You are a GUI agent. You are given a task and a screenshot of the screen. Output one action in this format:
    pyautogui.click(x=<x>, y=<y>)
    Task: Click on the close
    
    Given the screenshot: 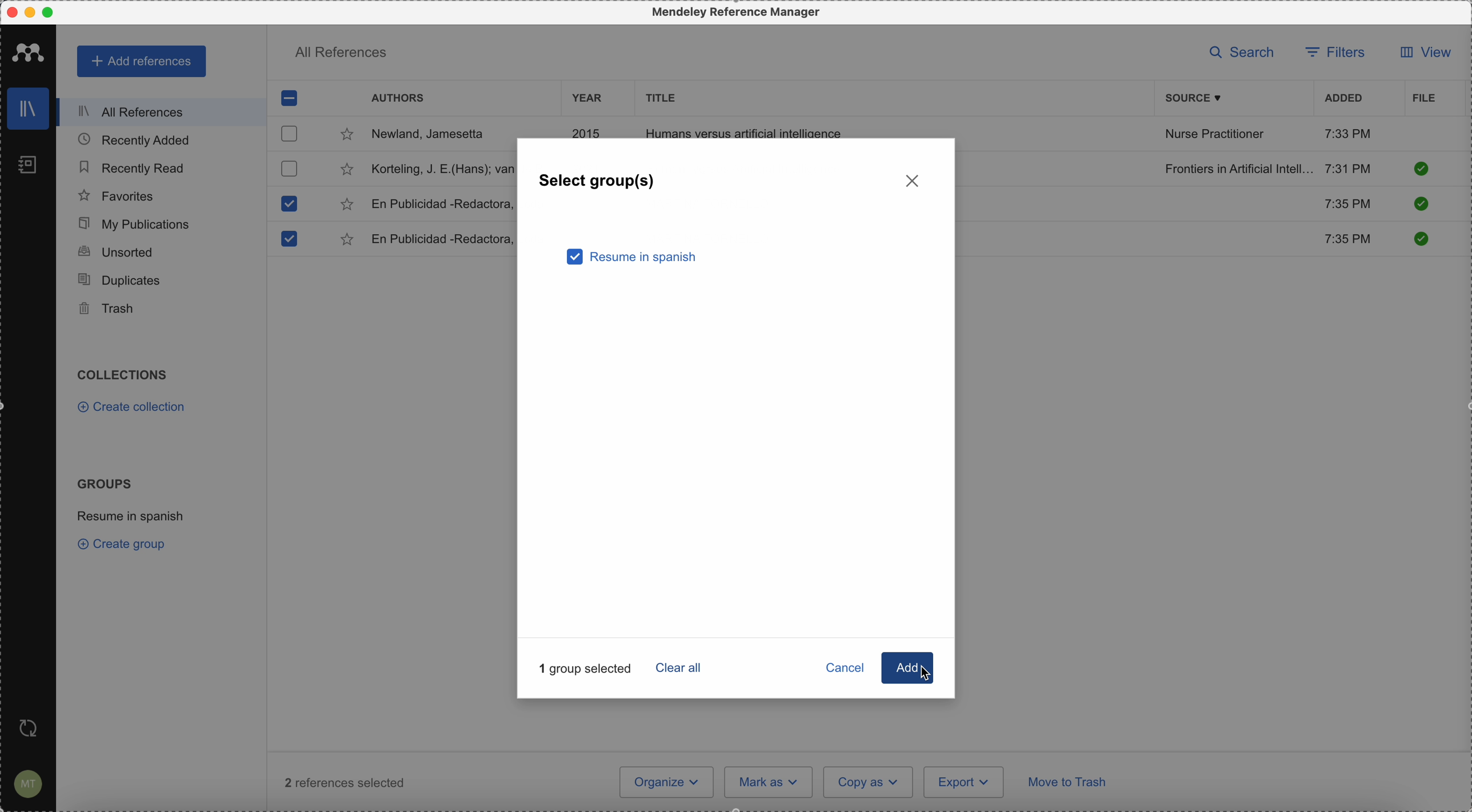 What is the action you would take?
    pyautogui.click(x=914, y=180)
    